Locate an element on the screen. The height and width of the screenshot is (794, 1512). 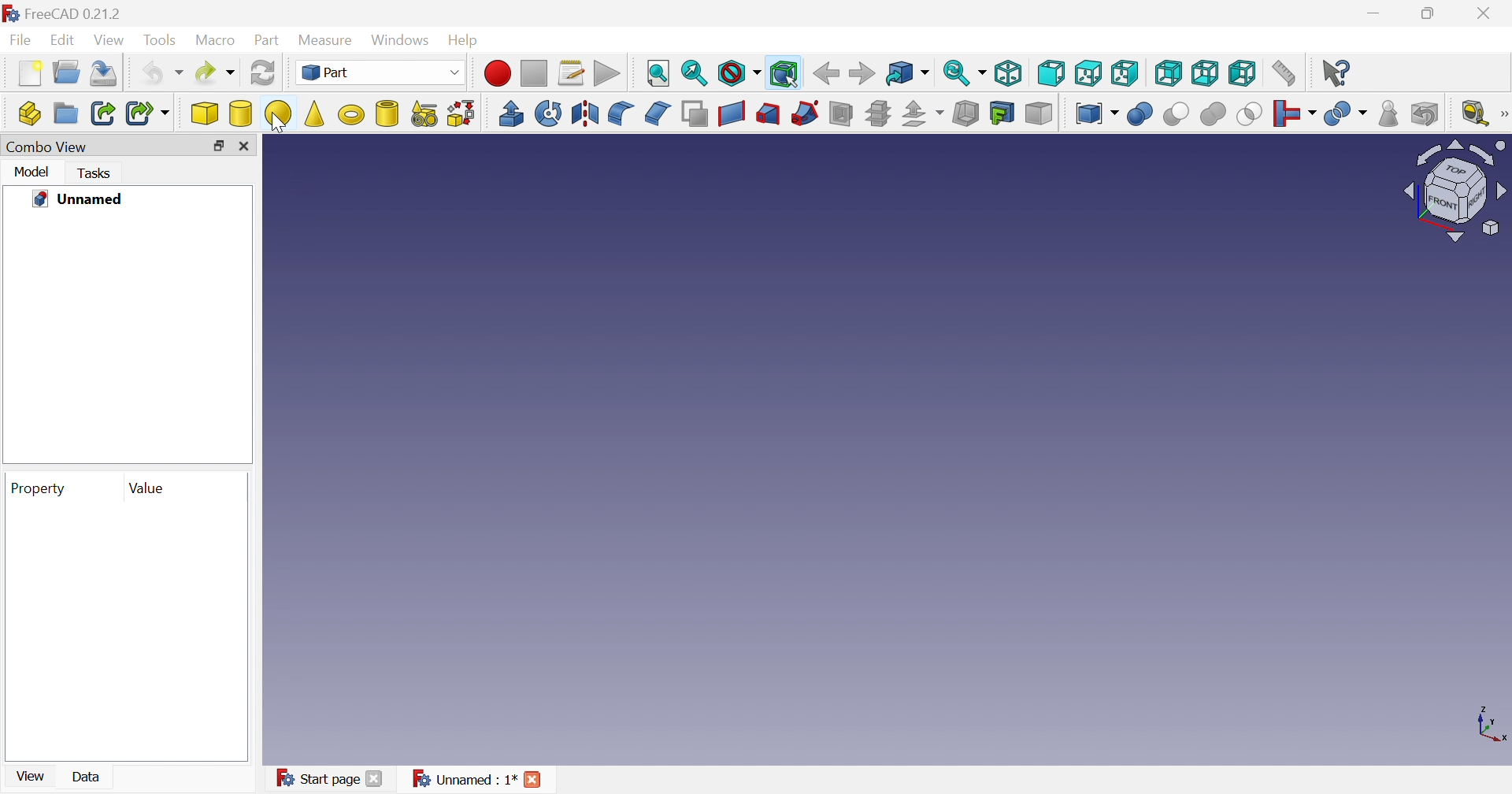
File is located at coordinates (24, 40).